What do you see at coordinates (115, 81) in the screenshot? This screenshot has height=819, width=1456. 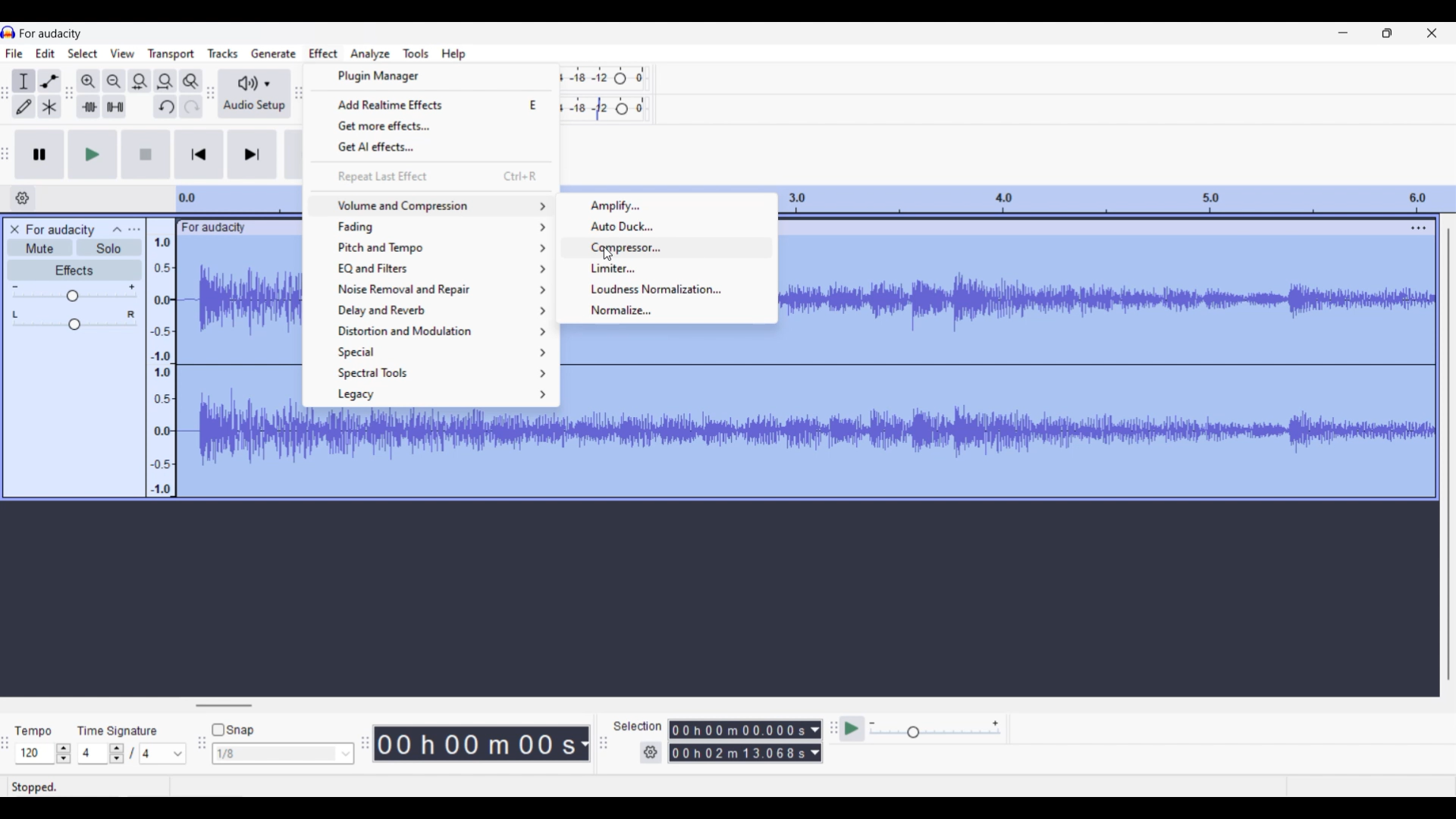 I see `Zoom out` at bounding box center [115, 81].